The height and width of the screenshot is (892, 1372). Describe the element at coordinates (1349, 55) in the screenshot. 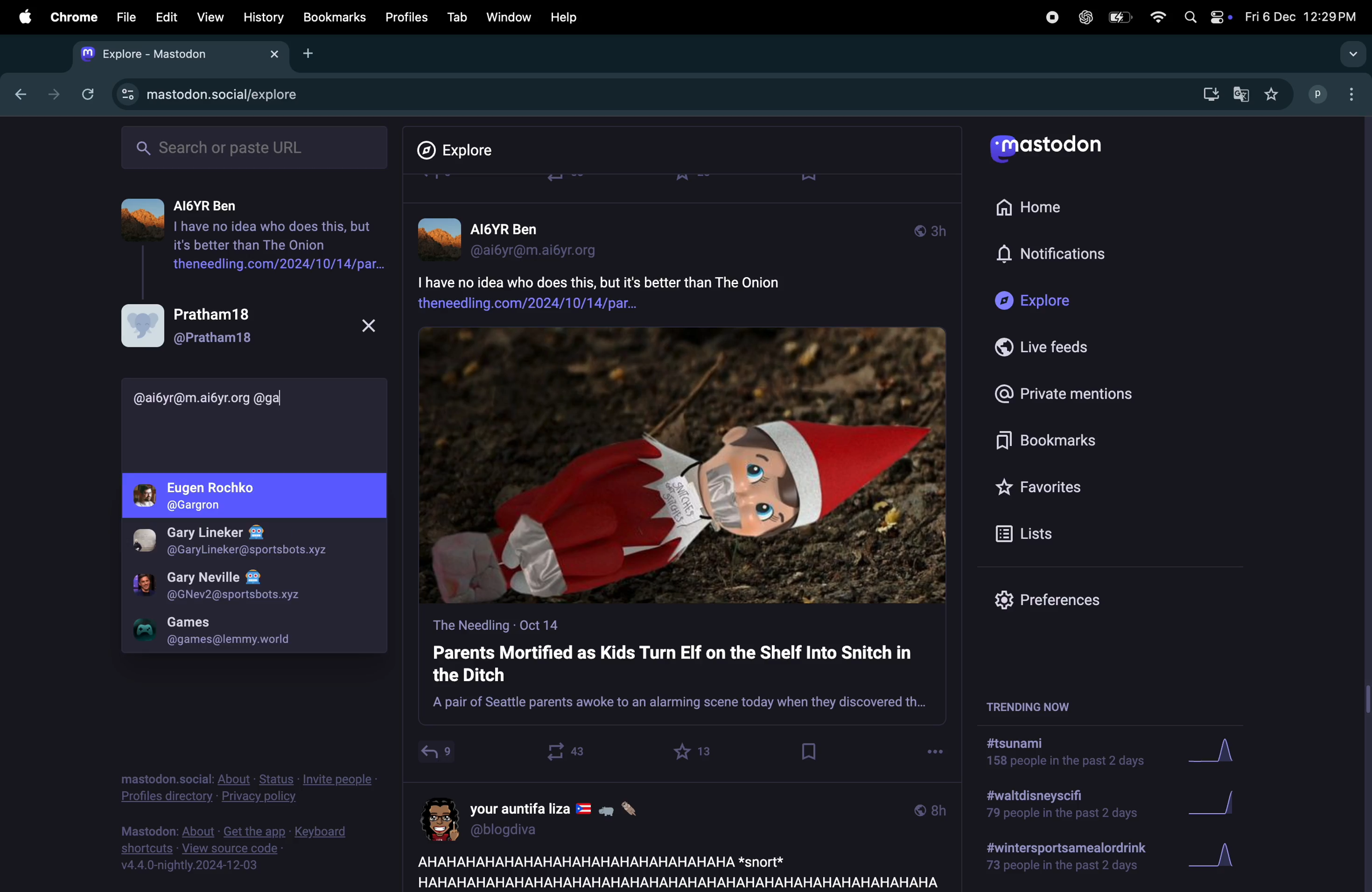

I see `drop down` at that location.